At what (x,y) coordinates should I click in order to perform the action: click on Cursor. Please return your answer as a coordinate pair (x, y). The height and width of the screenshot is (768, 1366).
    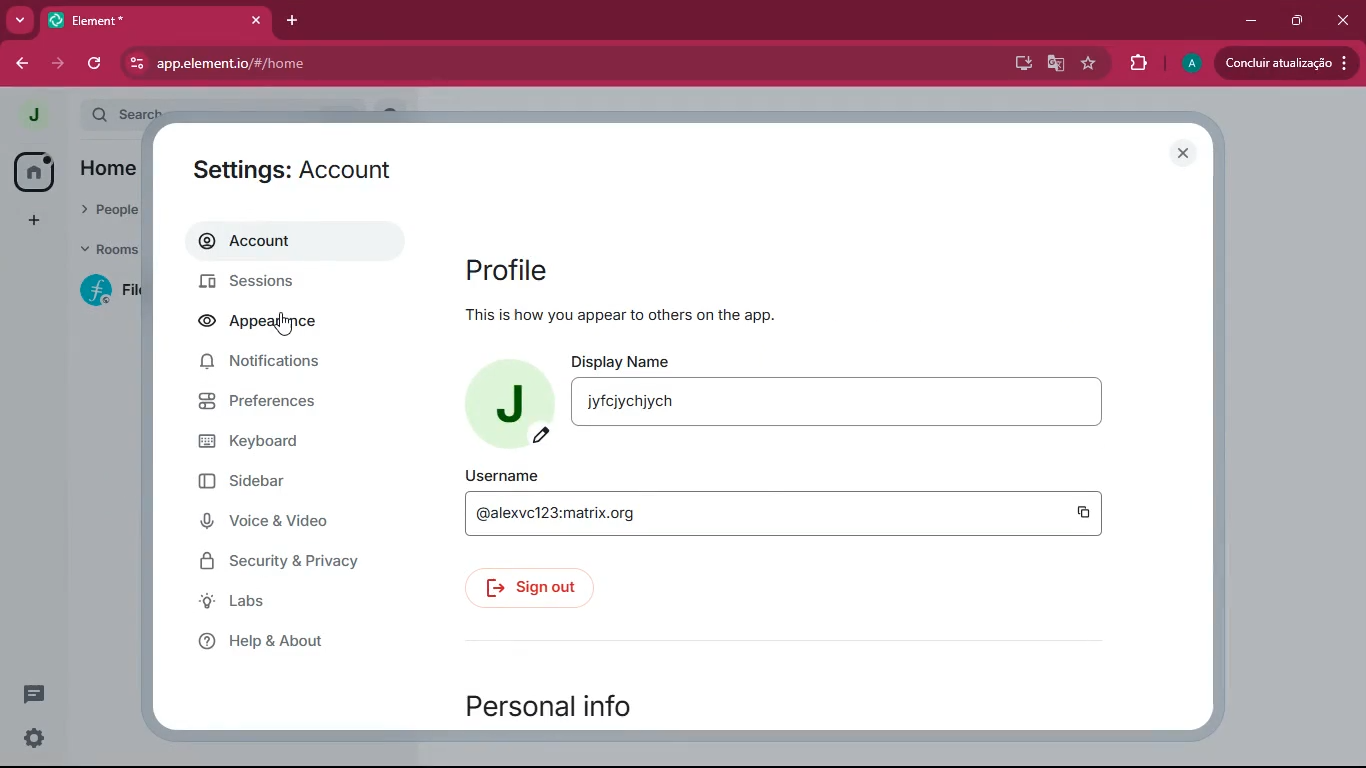
    Looking at the image, I should click on (288, 326).